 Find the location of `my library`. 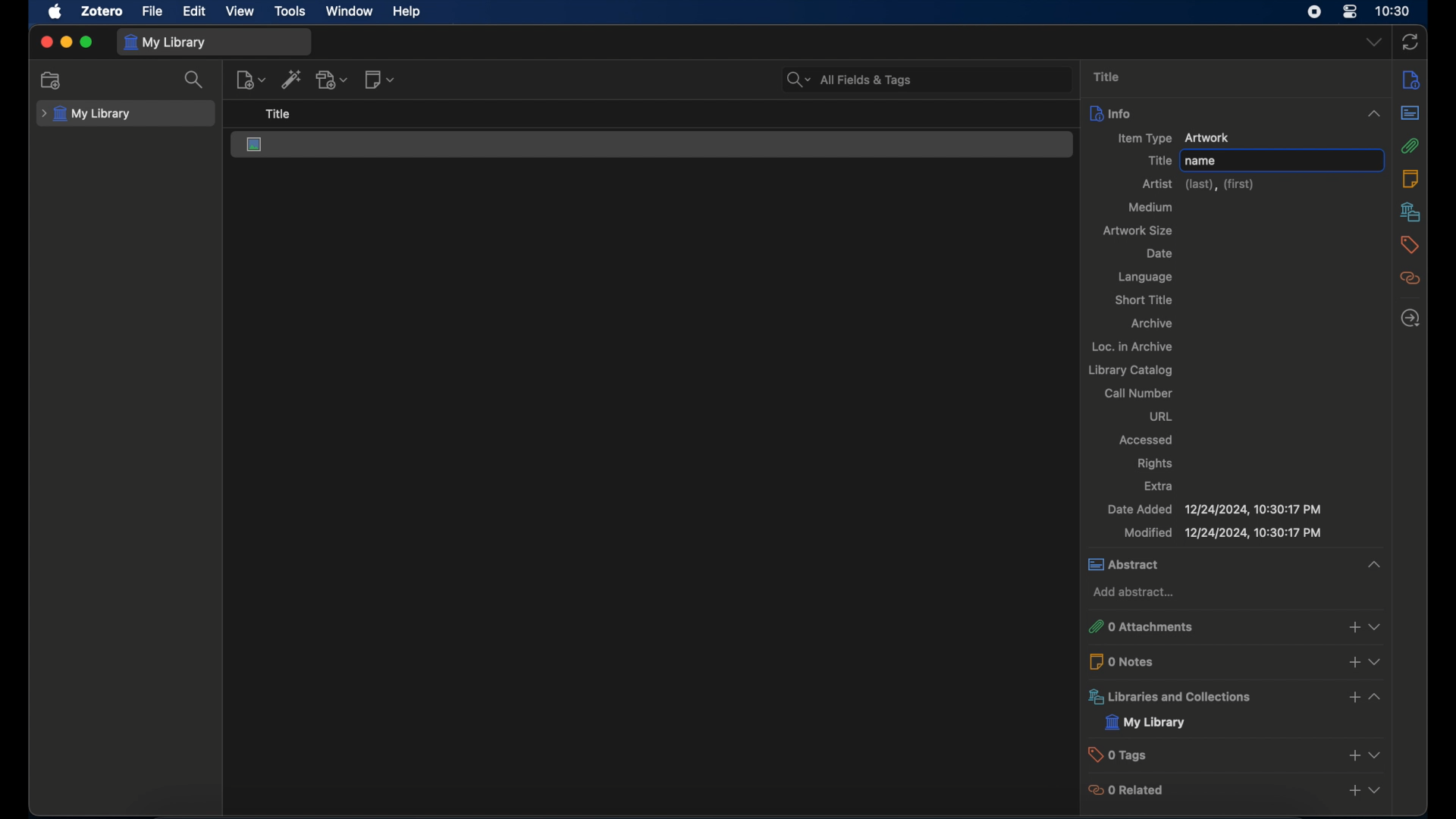

my library is located at coordinates (86, 115).